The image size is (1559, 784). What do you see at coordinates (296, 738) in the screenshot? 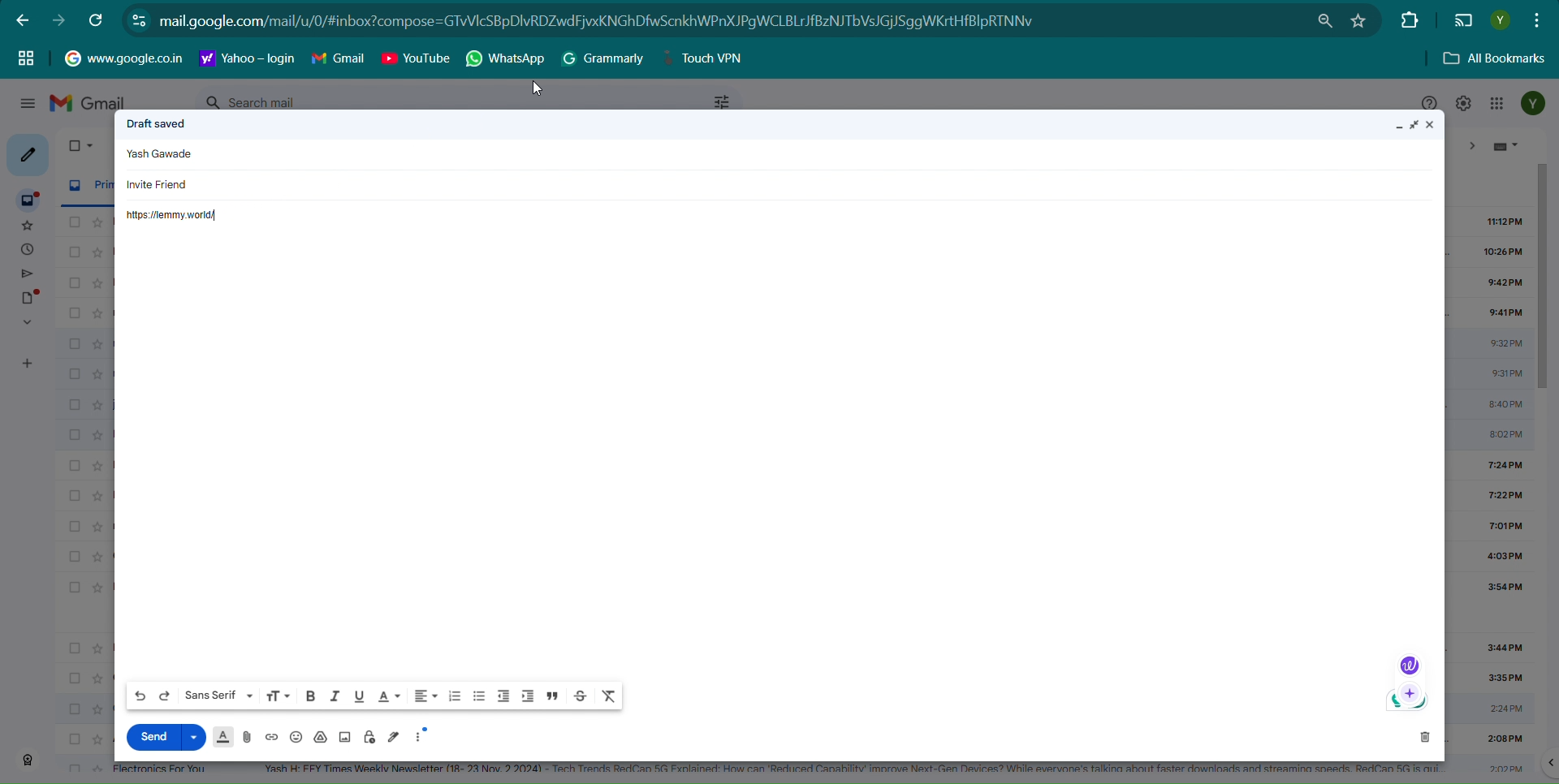
I see `Insert Emoji` at bounding box center [296, 738].